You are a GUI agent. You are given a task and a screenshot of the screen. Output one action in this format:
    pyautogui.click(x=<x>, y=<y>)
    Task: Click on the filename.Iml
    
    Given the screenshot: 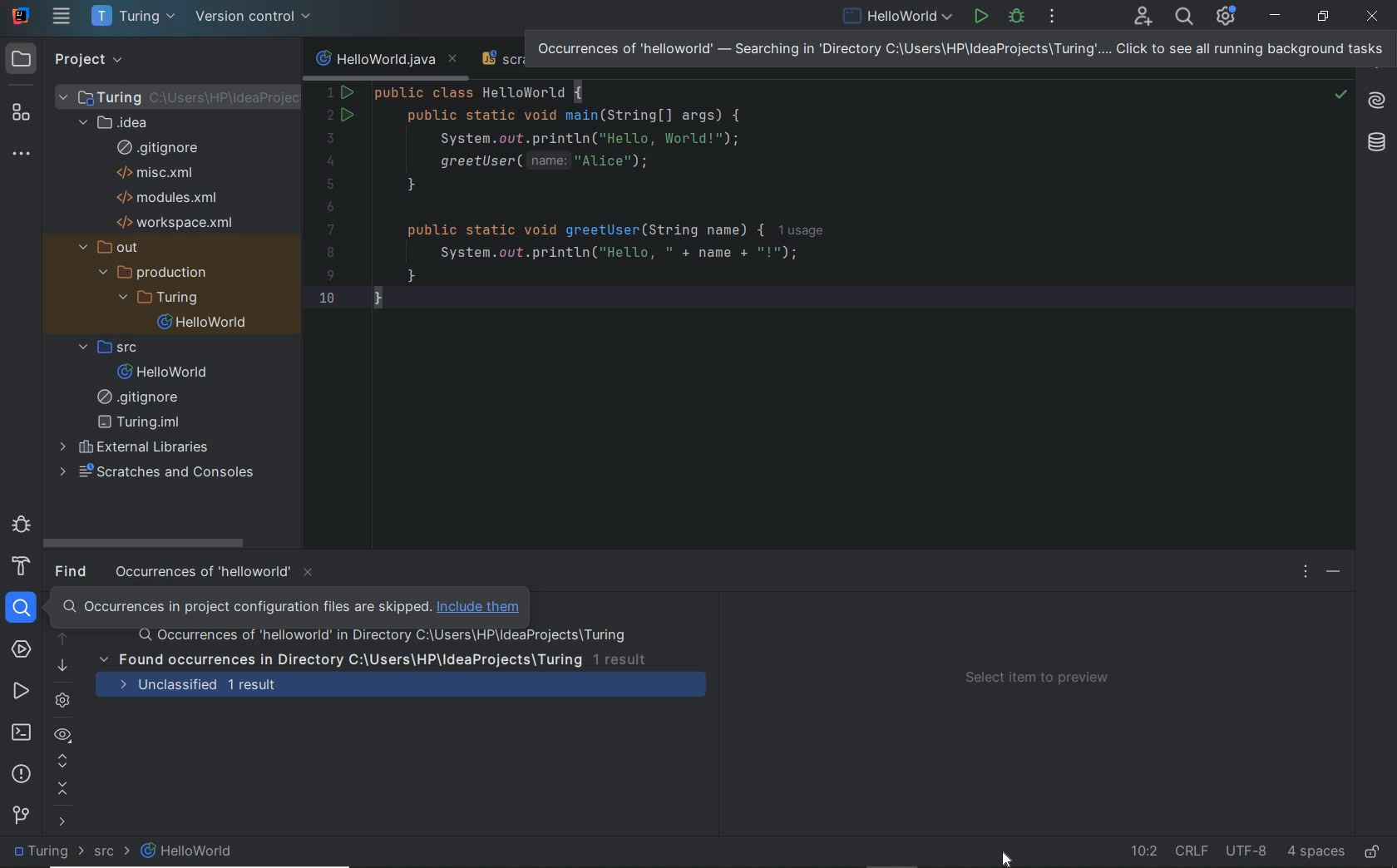 What is the action you would take?
    pyautogui.click(x=145, y=423)
    